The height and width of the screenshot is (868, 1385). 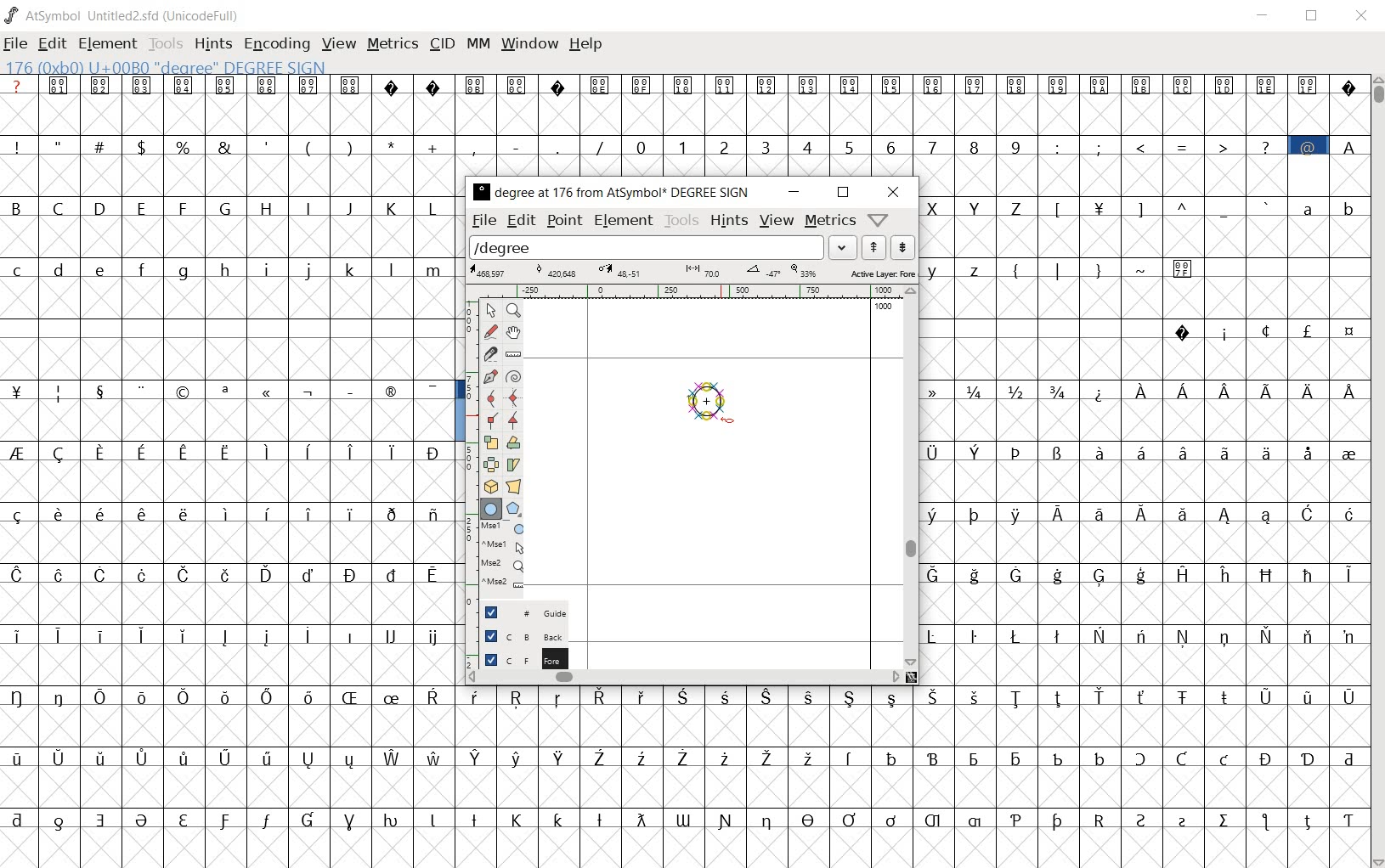 I want to click on tools, so click(x=681, y=221).